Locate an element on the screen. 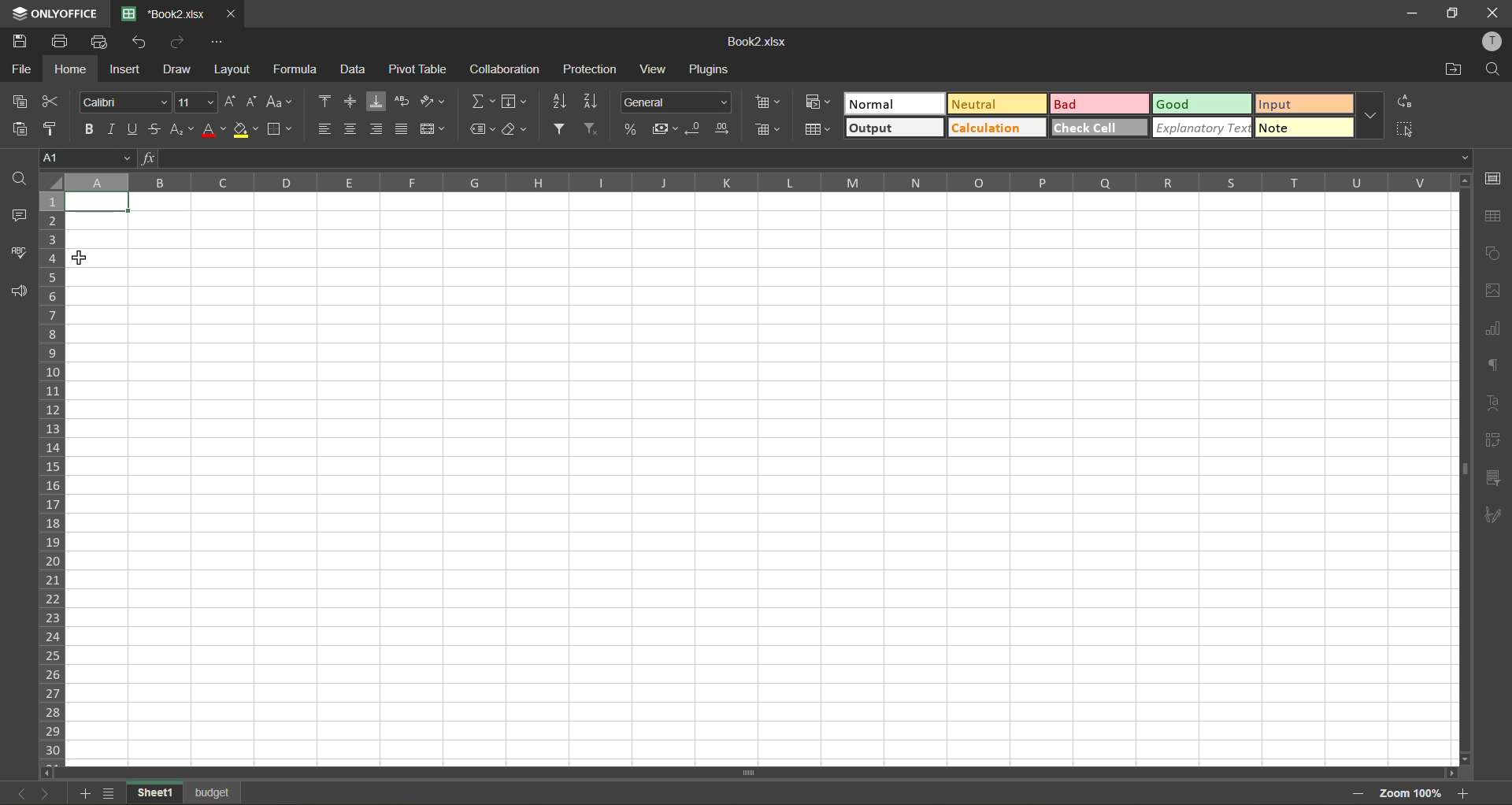 Image resolution: width=1512 pixels, height=805 pixels. merge and center is located at coordinates (432, 128).